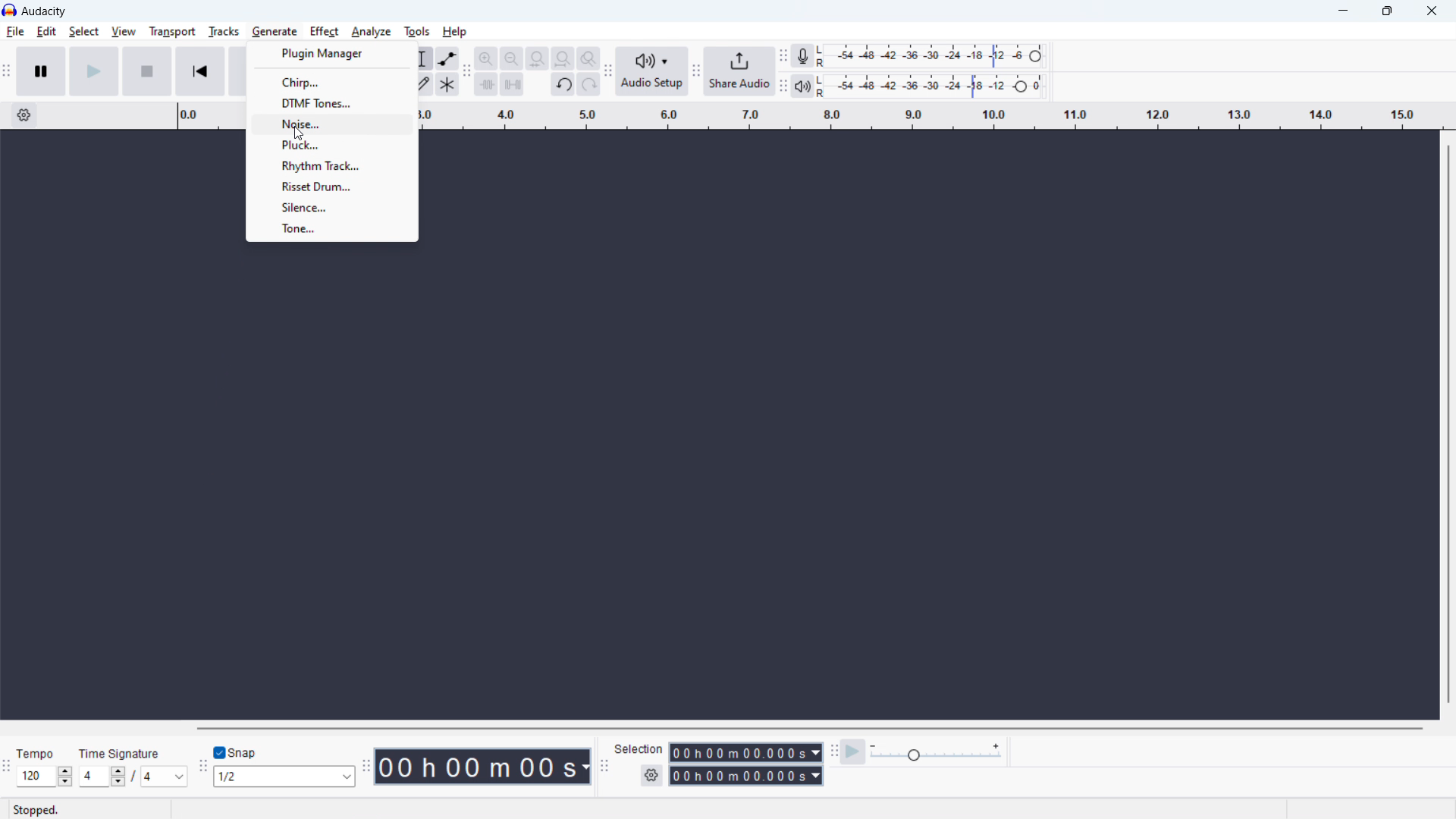 This screenshot has height=819, width=1456. I want to click on recording meter, so click(930, 56).